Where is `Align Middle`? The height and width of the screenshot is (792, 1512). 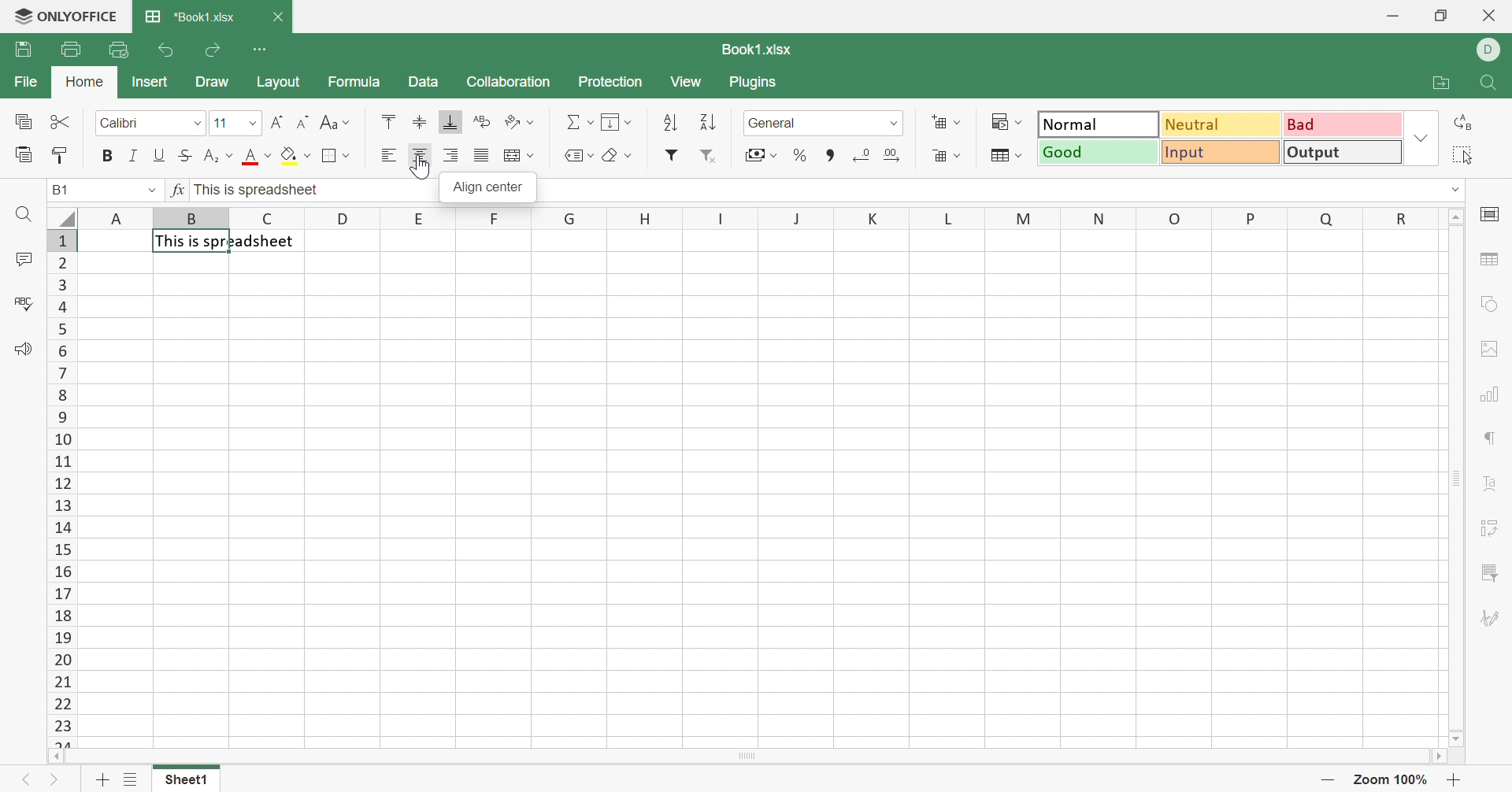
Align Middle is located at coordinates (419, 121).